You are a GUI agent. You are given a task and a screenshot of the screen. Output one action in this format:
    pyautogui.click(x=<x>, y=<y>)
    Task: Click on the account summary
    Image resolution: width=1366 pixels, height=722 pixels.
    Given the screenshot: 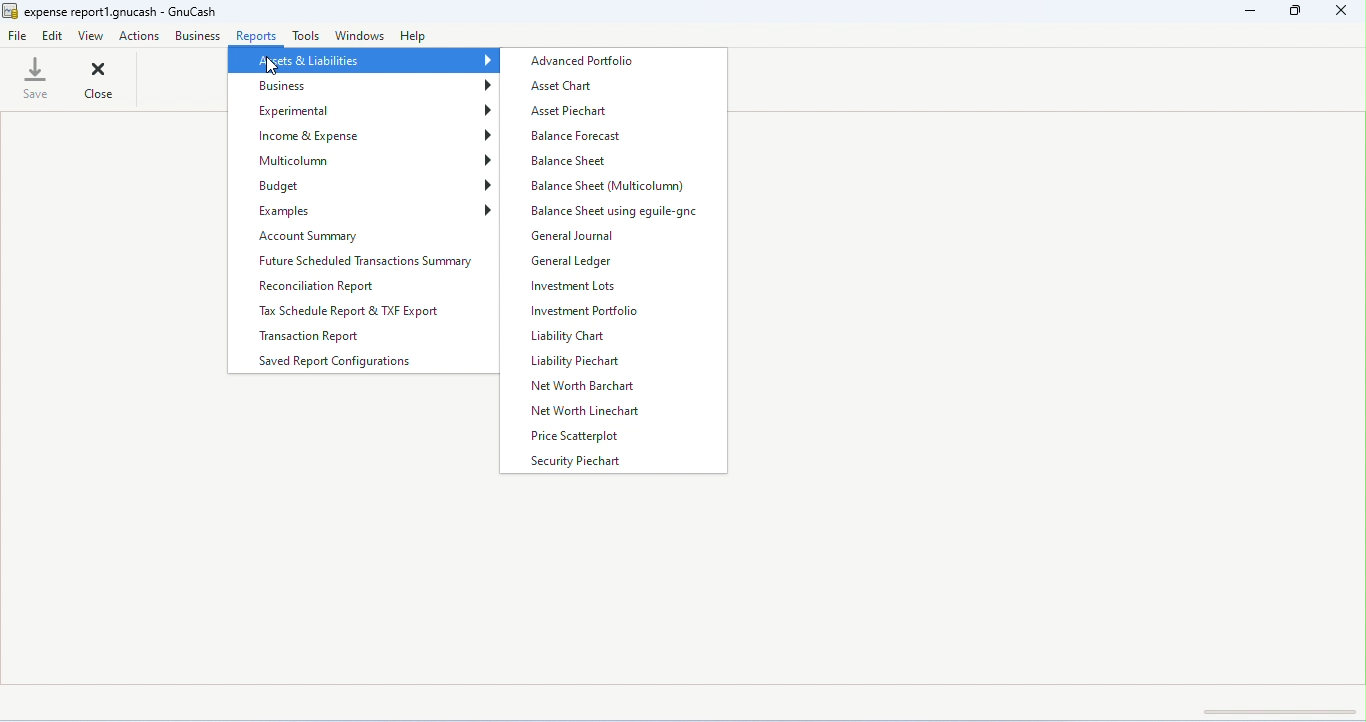 What is the action you would take?
    pyautogui.click(x=363, y=235)
    